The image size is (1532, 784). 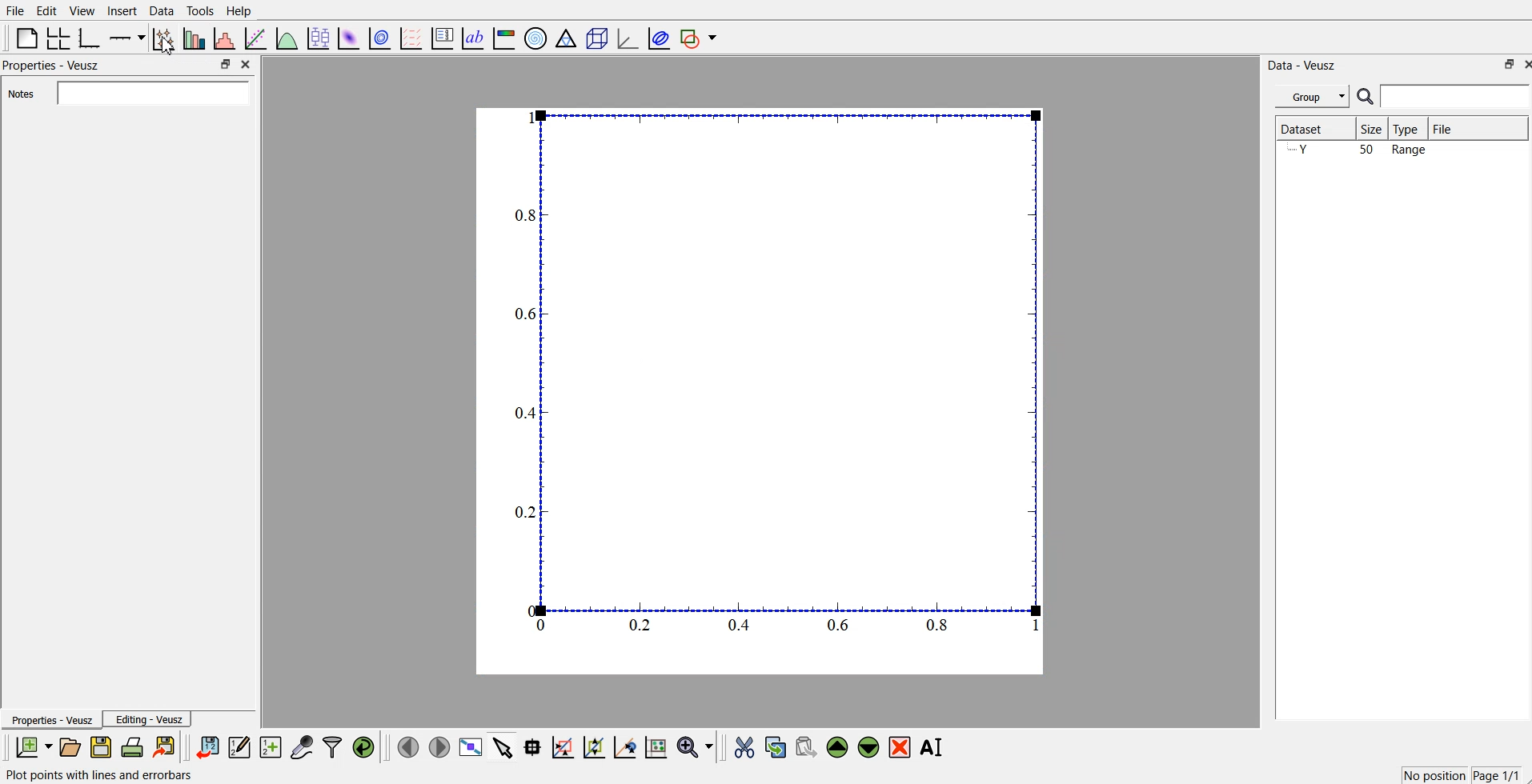 What do you see at coordinates (332, 747) in the screenshot?
I see `filter data` at bounding box center [332, 747].